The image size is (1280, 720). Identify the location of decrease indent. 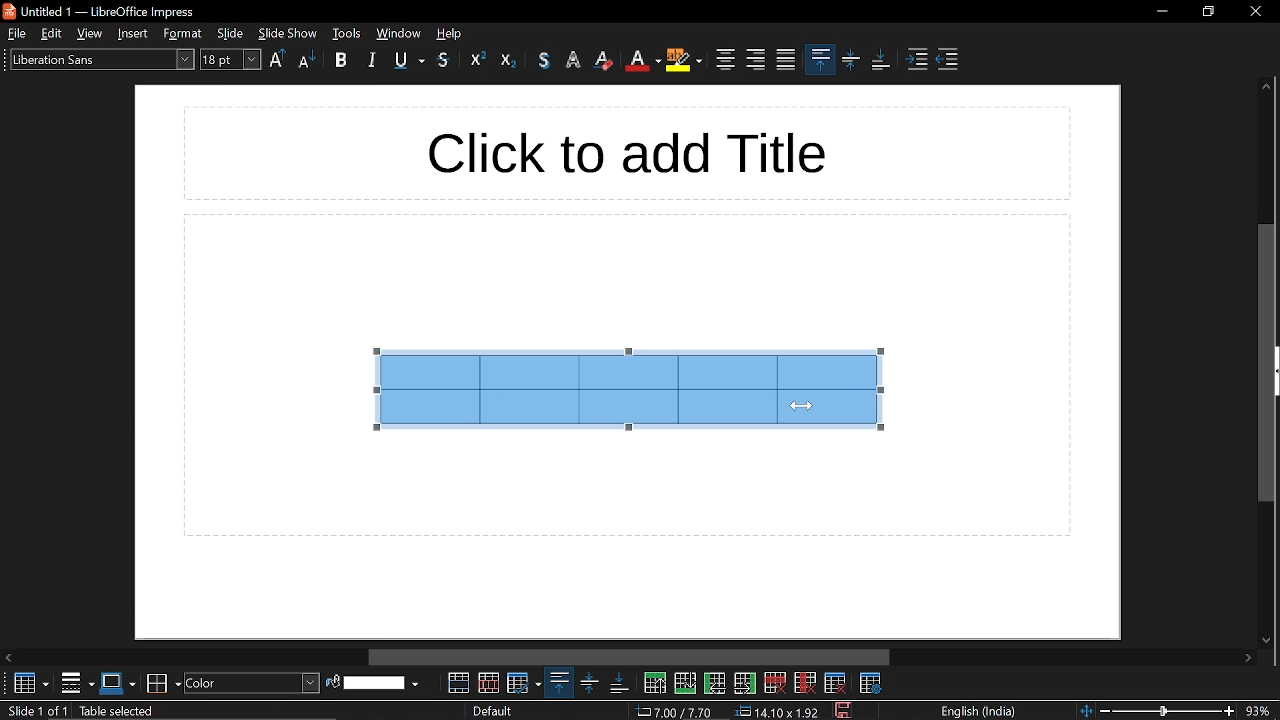
(949, 58).